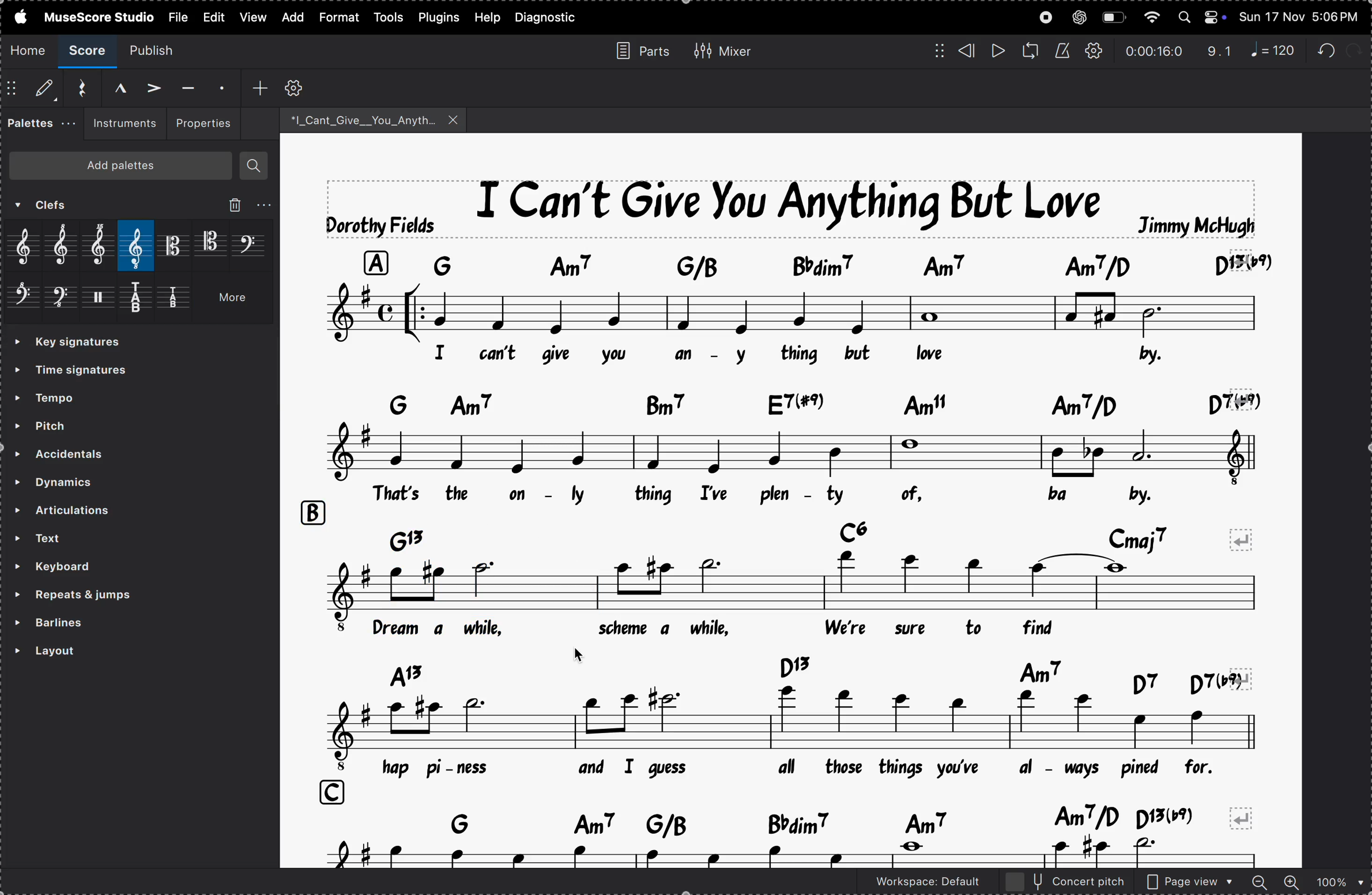  What do you see at coordinates (265, 204) in the screenshot?
I see `More options` at bounding box center [265, 204].